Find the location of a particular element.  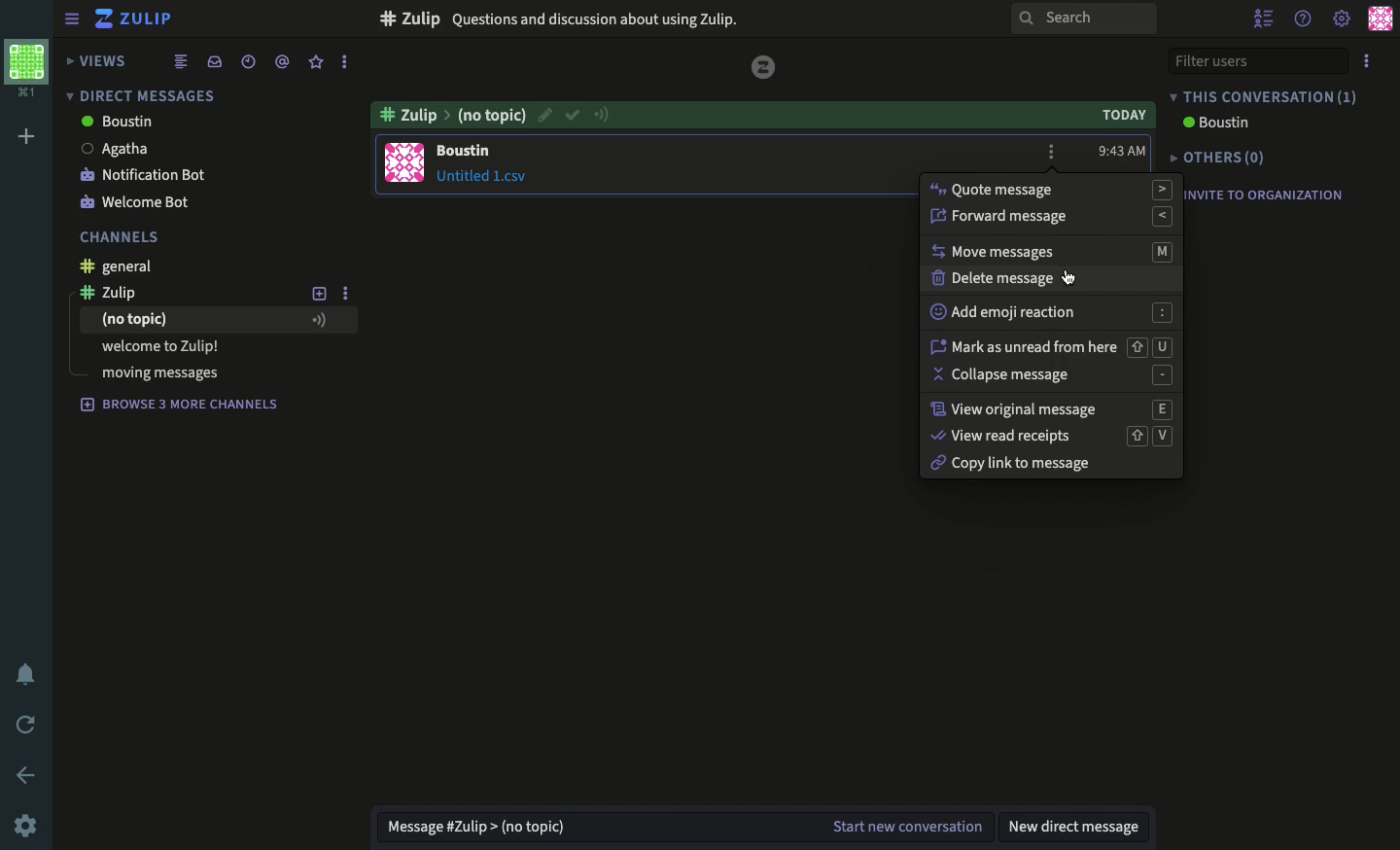

date time is located at coordinates (249, 61).